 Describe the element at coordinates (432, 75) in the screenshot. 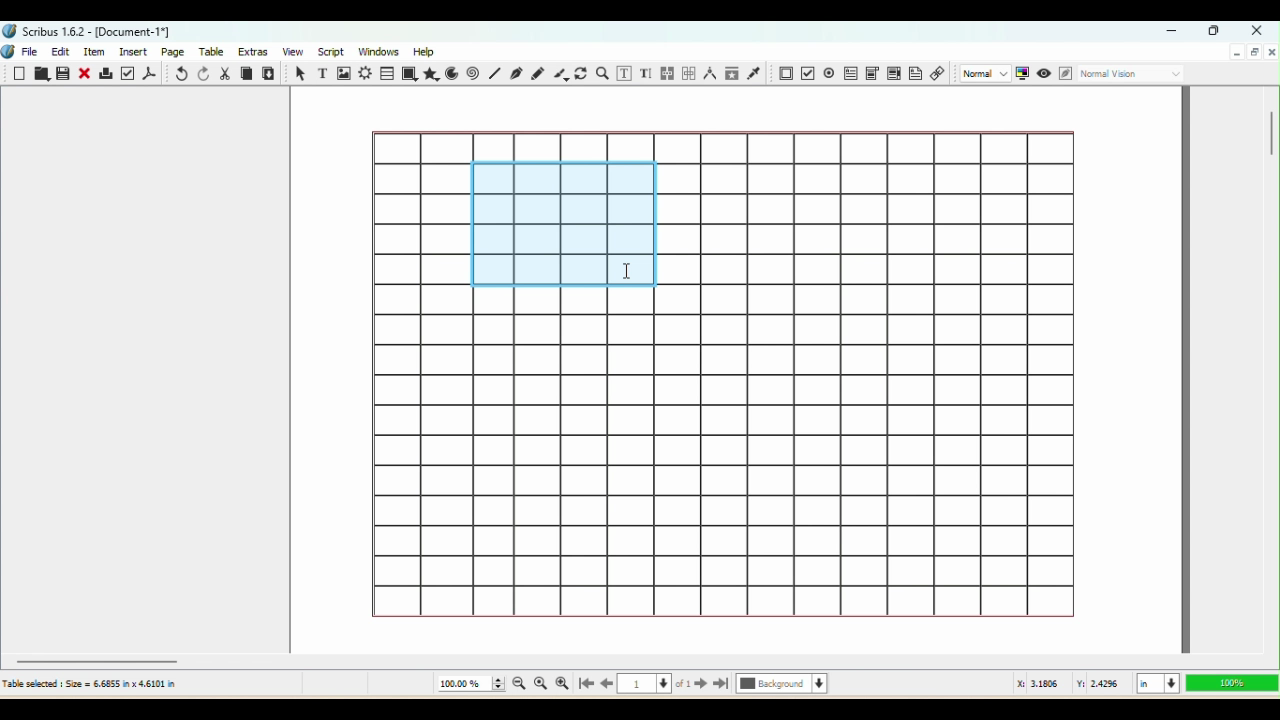

I see `Polygon` at that location.